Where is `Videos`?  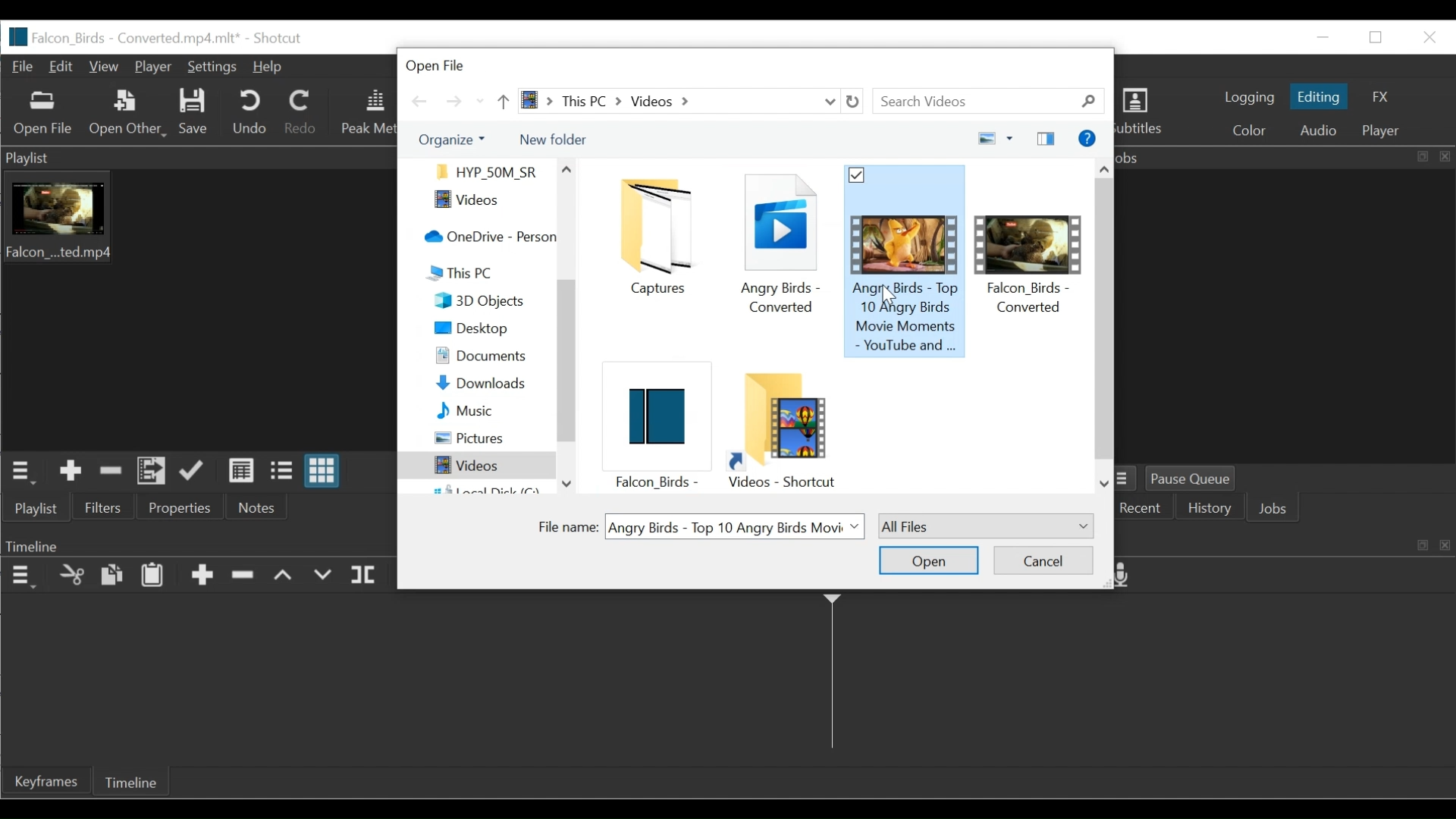 Videos is located at coordinates (472, 466).